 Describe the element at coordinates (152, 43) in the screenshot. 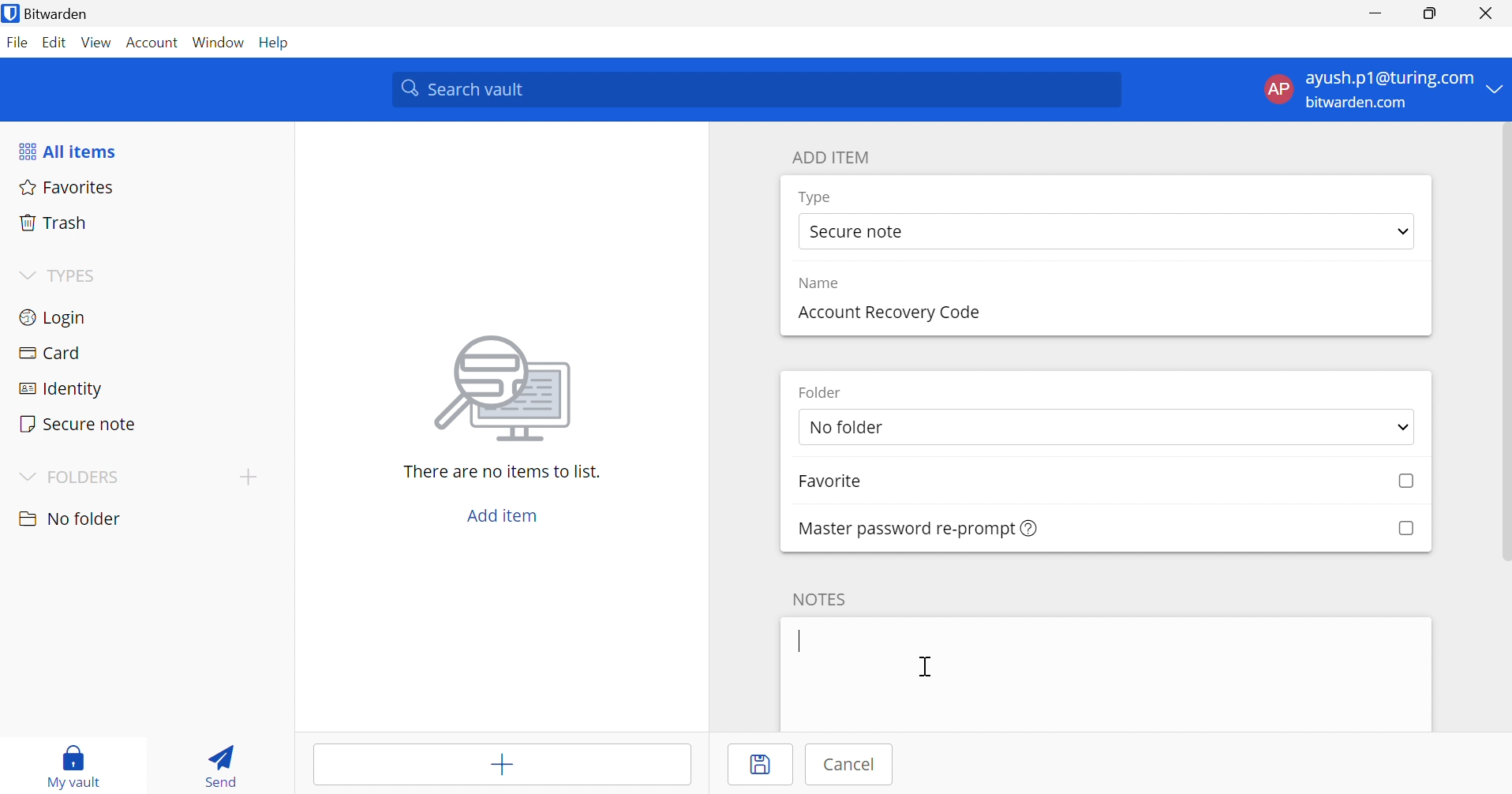

I see `Account` at that location.